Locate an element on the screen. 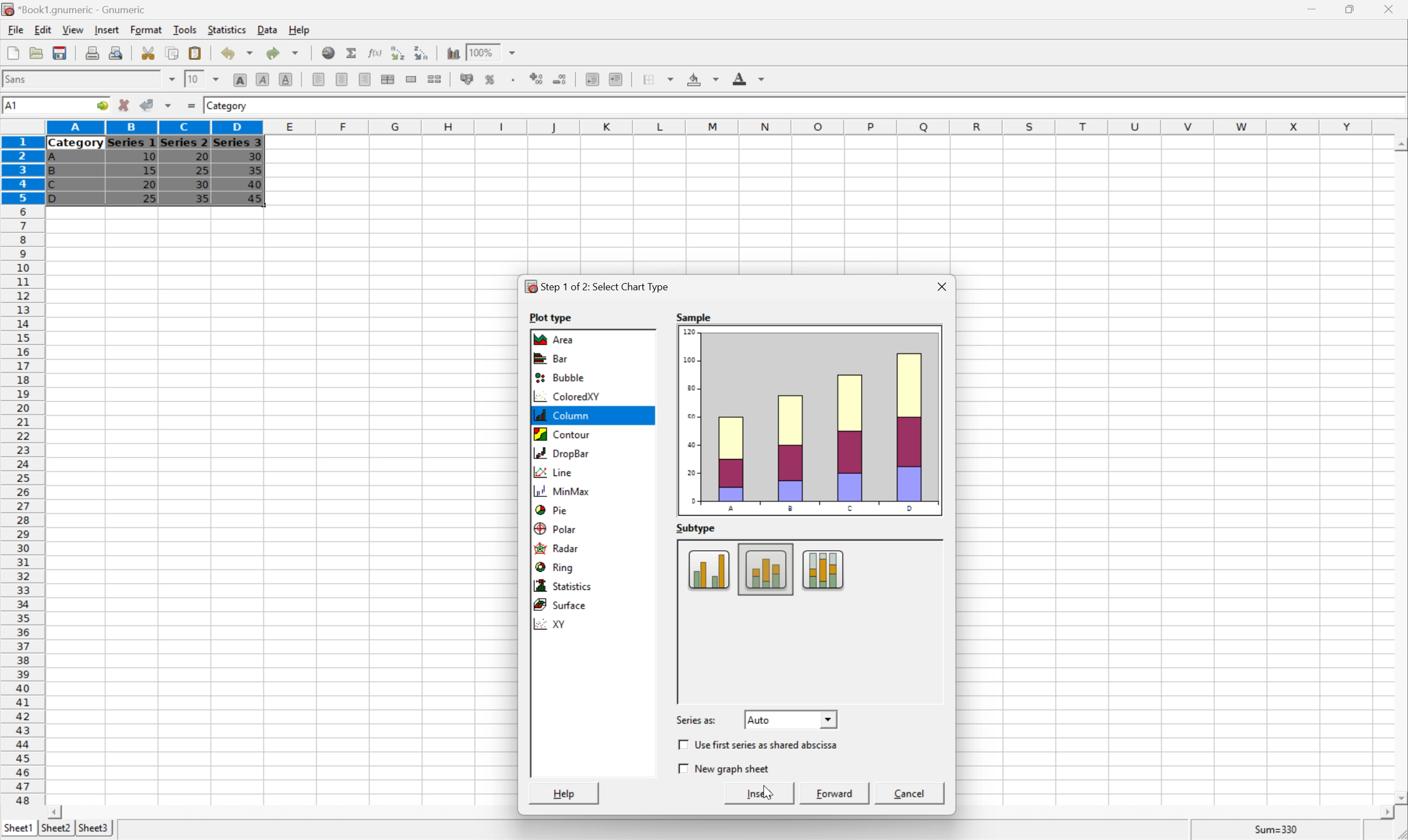 This screenshot has width=1408, height=840. View is located at coordinates (73, 29).